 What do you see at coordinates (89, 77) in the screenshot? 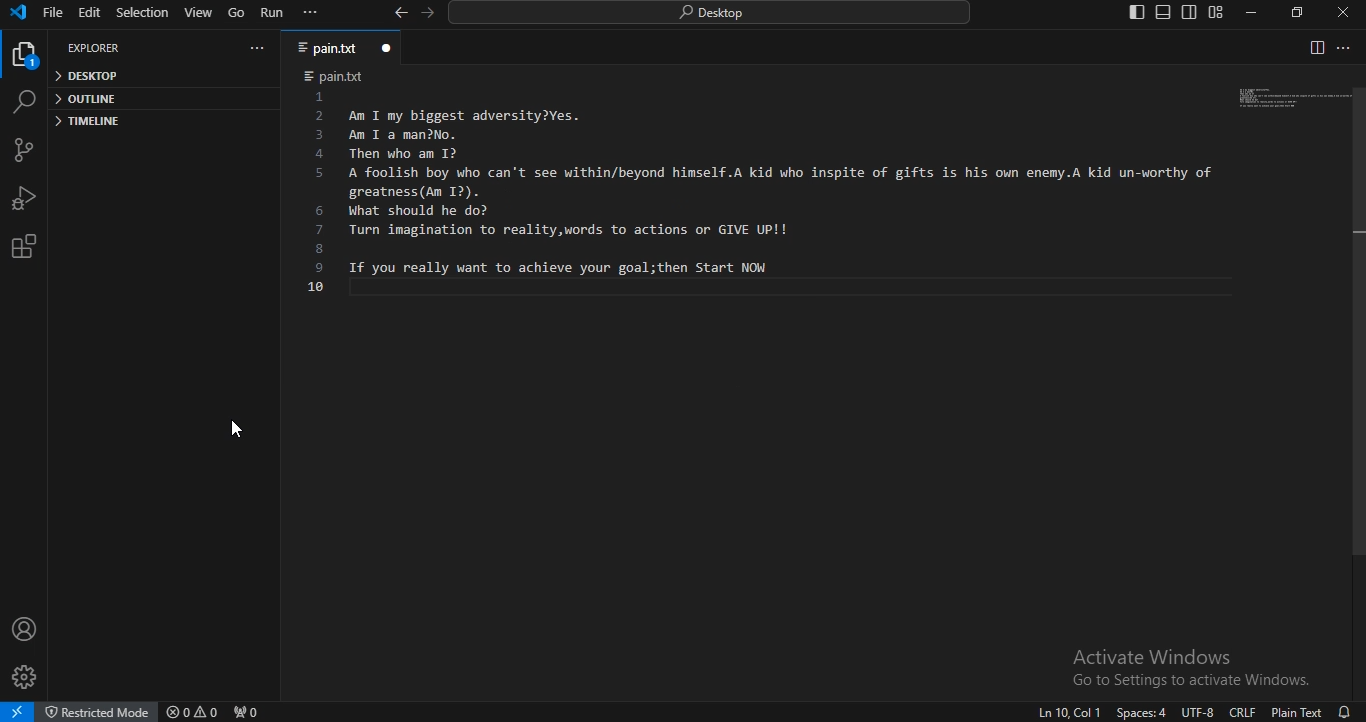
I see `desktop` at bounding box center [89, 77].